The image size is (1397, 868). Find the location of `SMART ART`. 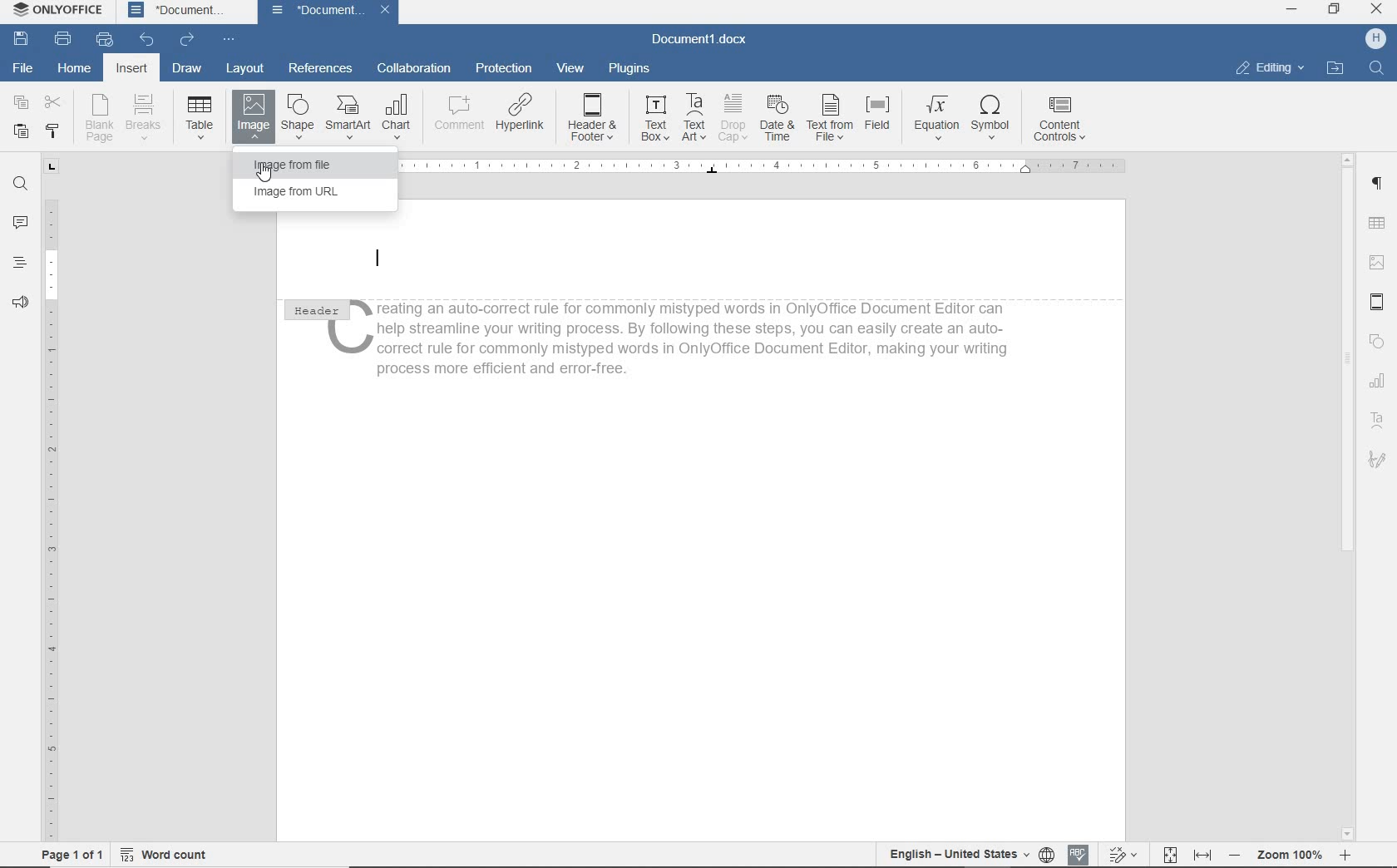

SMART ART is located at coordinates (348, 118).